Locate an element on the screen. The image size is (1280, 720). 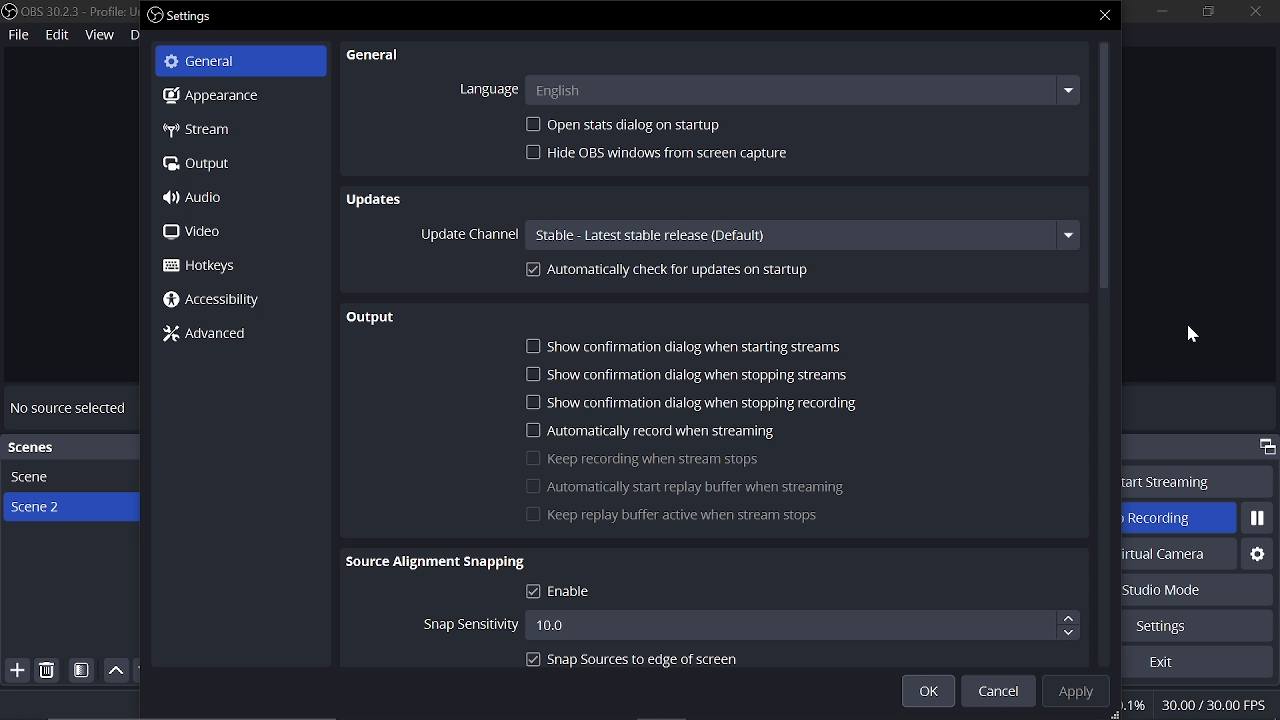
add scene is located at coordinates (15, 672).